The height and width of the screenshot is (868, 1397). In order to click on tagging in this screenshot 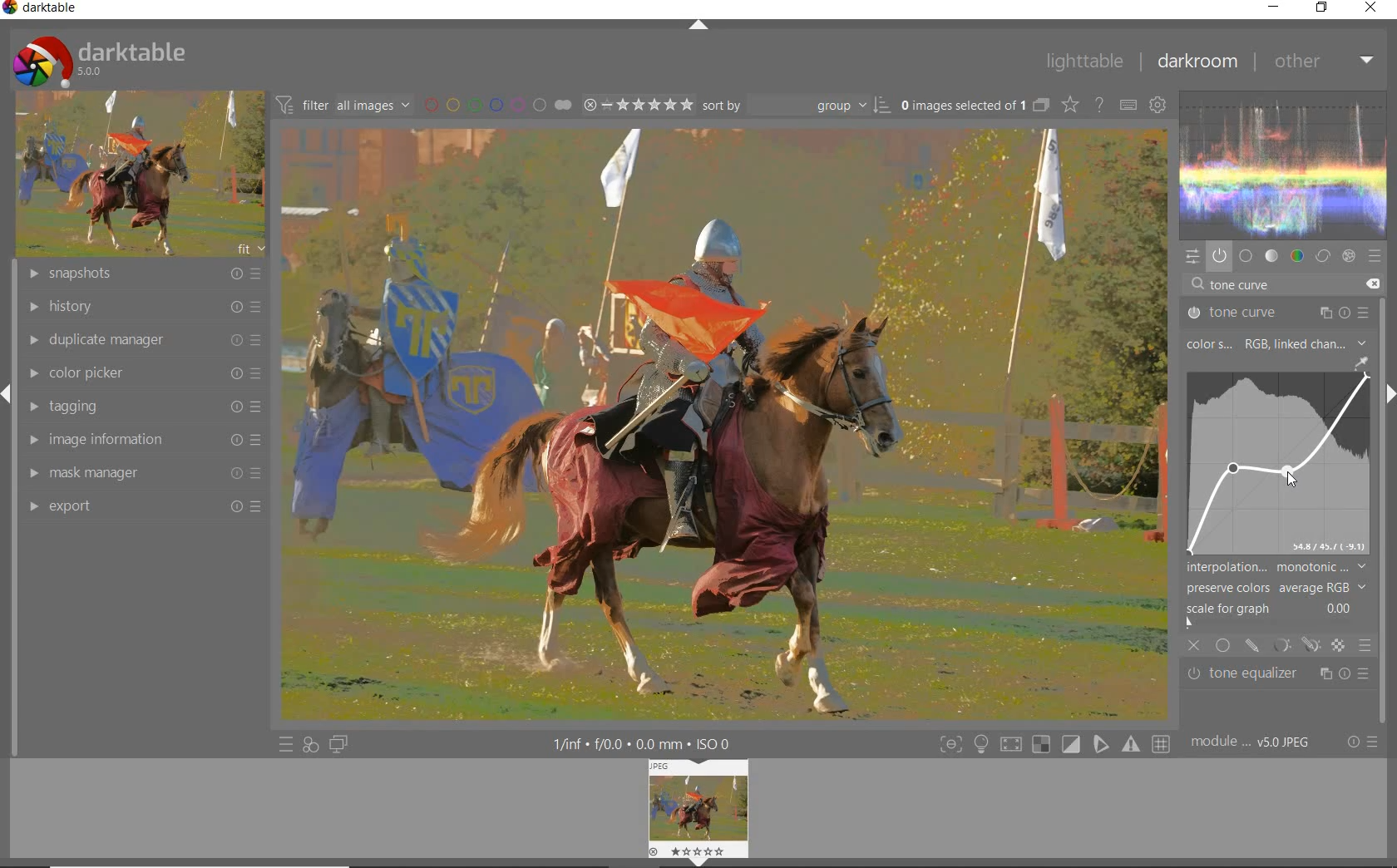, I will do `click(141, 407)`.